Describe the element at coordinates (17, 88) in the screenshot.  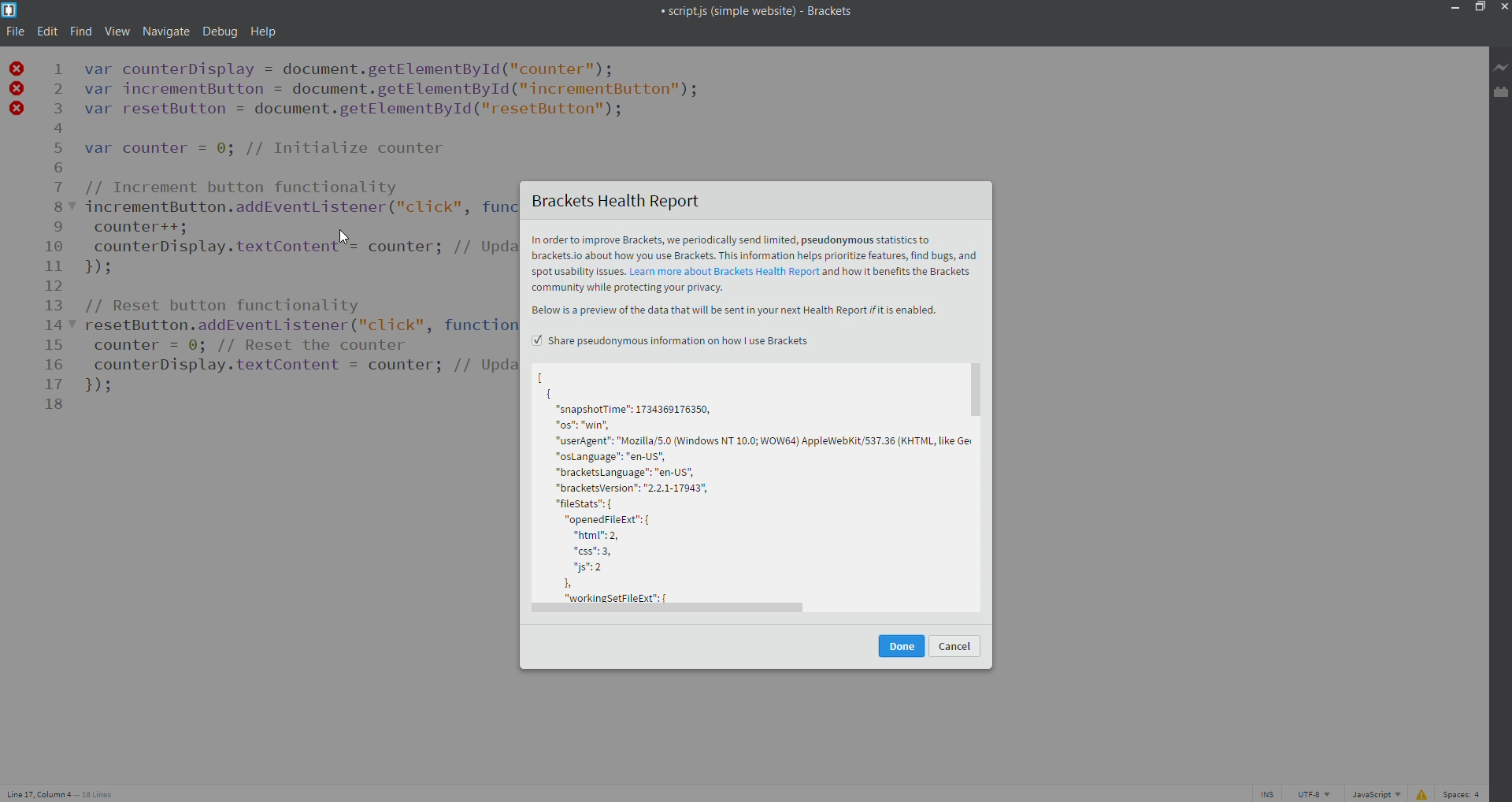
I see `line errors` at that location.